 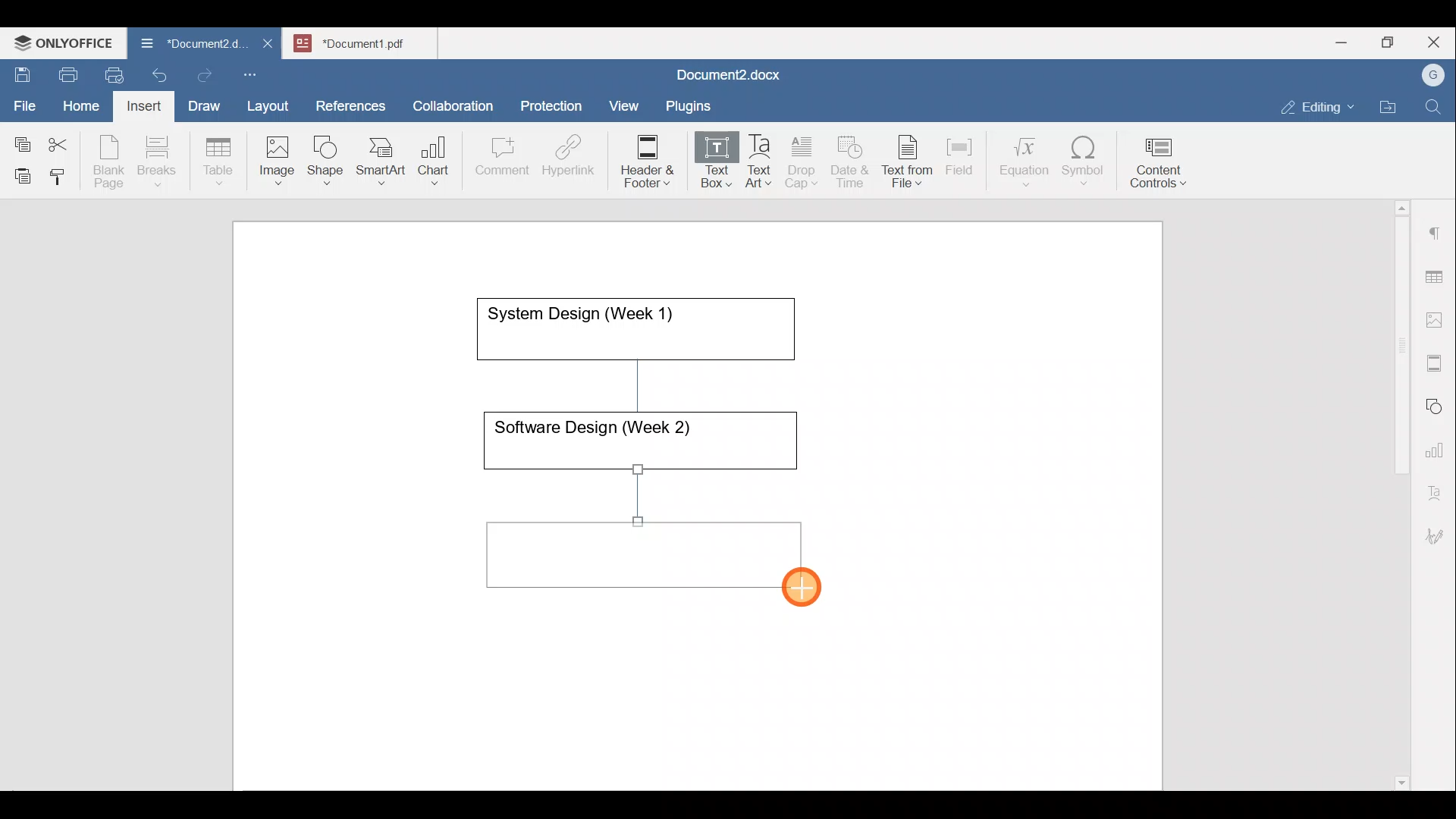 I want to click on Copy, so click(x=20, y=140).